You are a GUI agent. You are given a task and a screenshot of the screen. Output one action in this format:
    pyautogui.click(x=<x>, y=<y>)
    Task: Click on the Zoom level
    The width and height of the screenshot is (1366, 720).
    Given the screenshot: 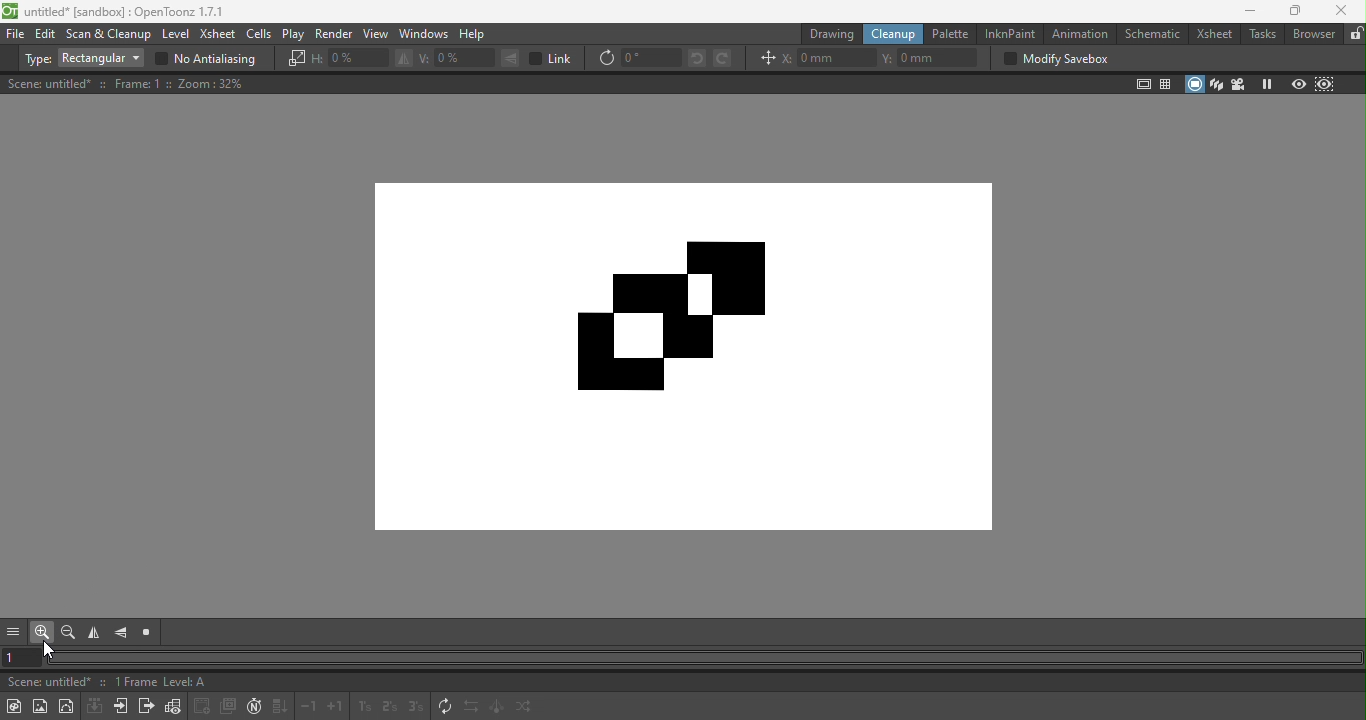 What is the action you would take?
    pyautogui.click(x=212, y=84)
    